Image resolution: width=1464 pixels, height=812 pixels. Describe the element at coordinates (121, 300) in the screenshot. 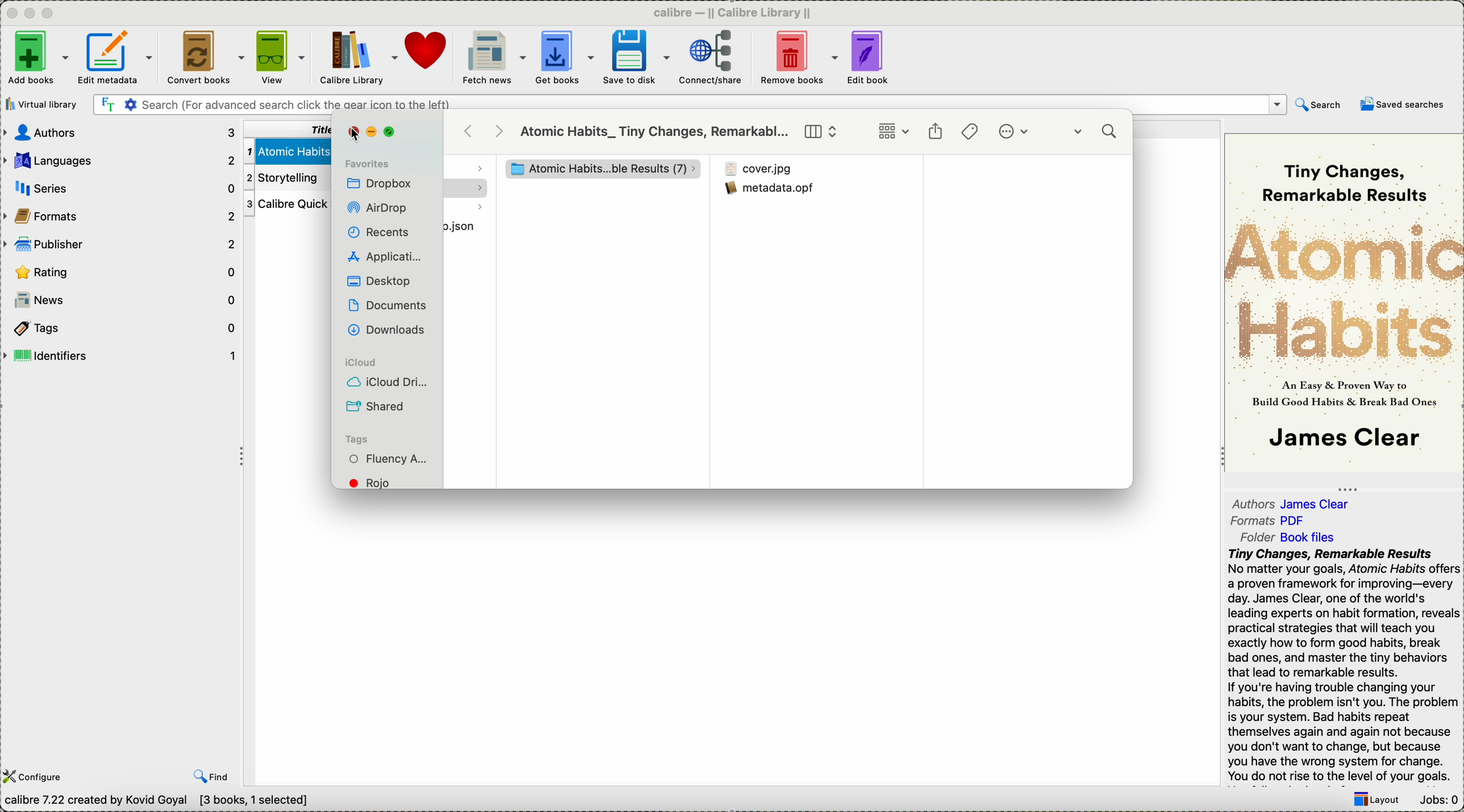

I see `news` at that location.